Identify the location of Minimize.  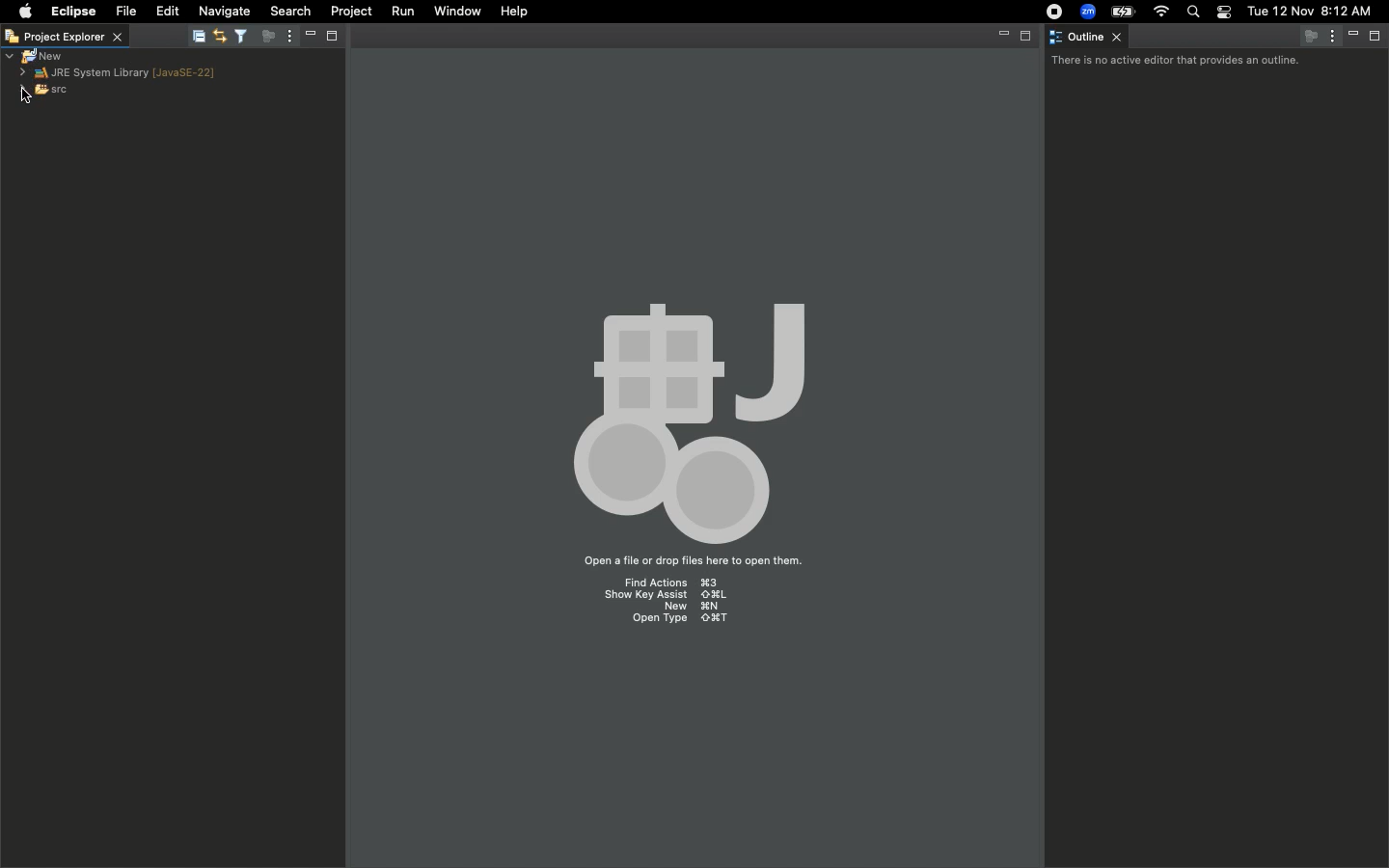
(307, 36).